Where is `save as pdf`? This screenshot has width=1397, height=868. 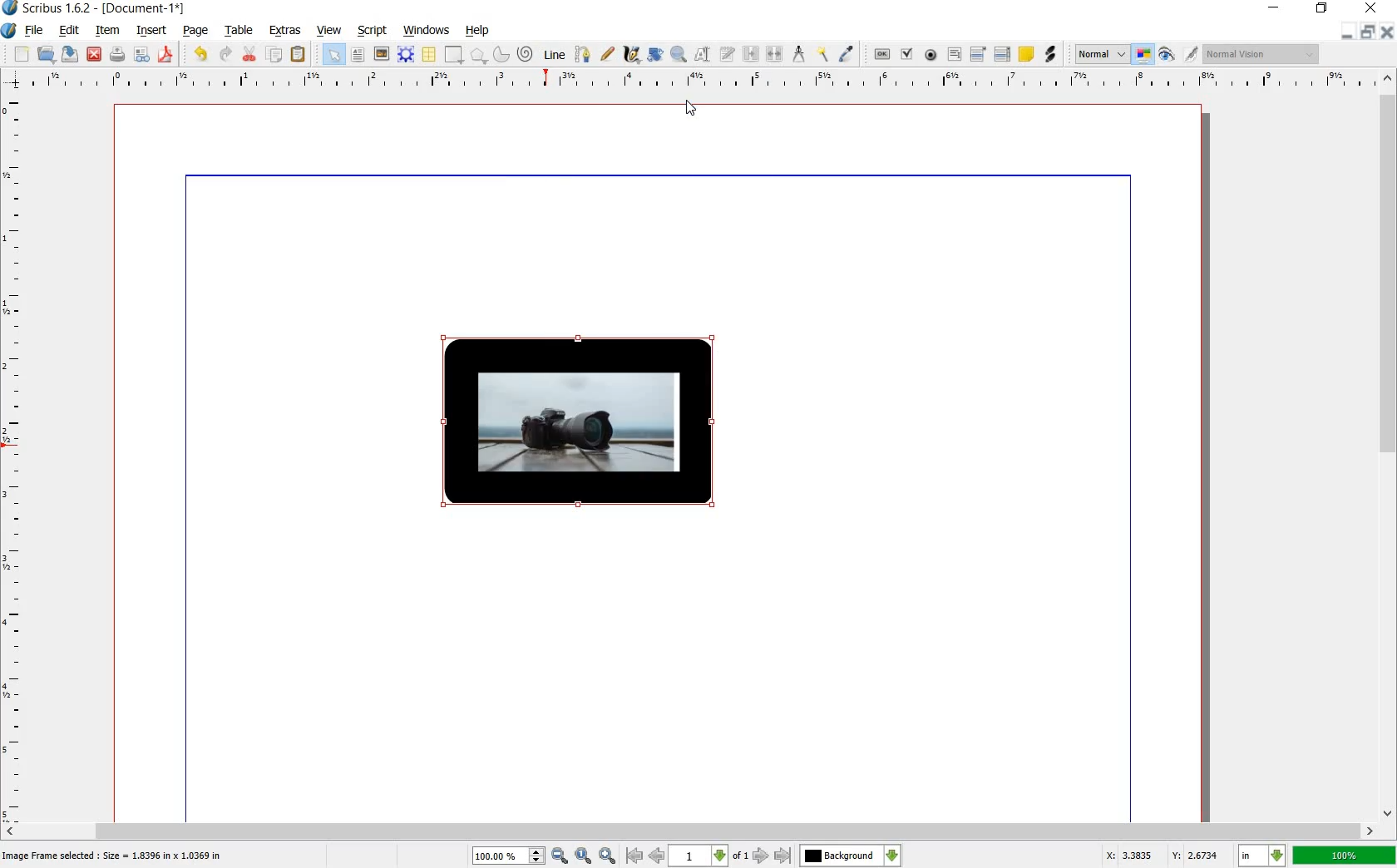
save as pdf is located at coordinates (166, 56).